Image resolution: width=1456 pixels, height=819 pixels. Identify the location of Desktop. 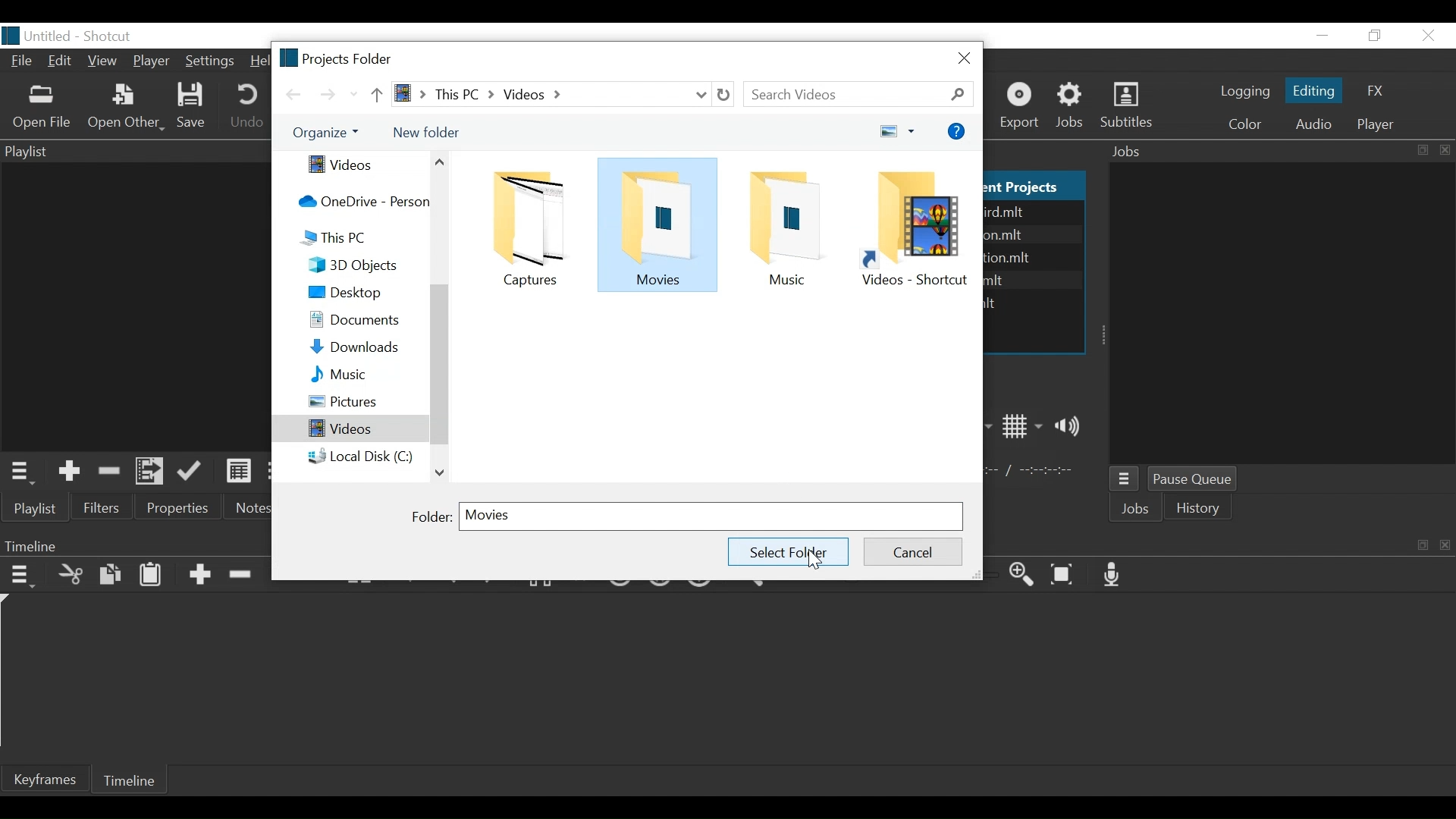
(363, 292).